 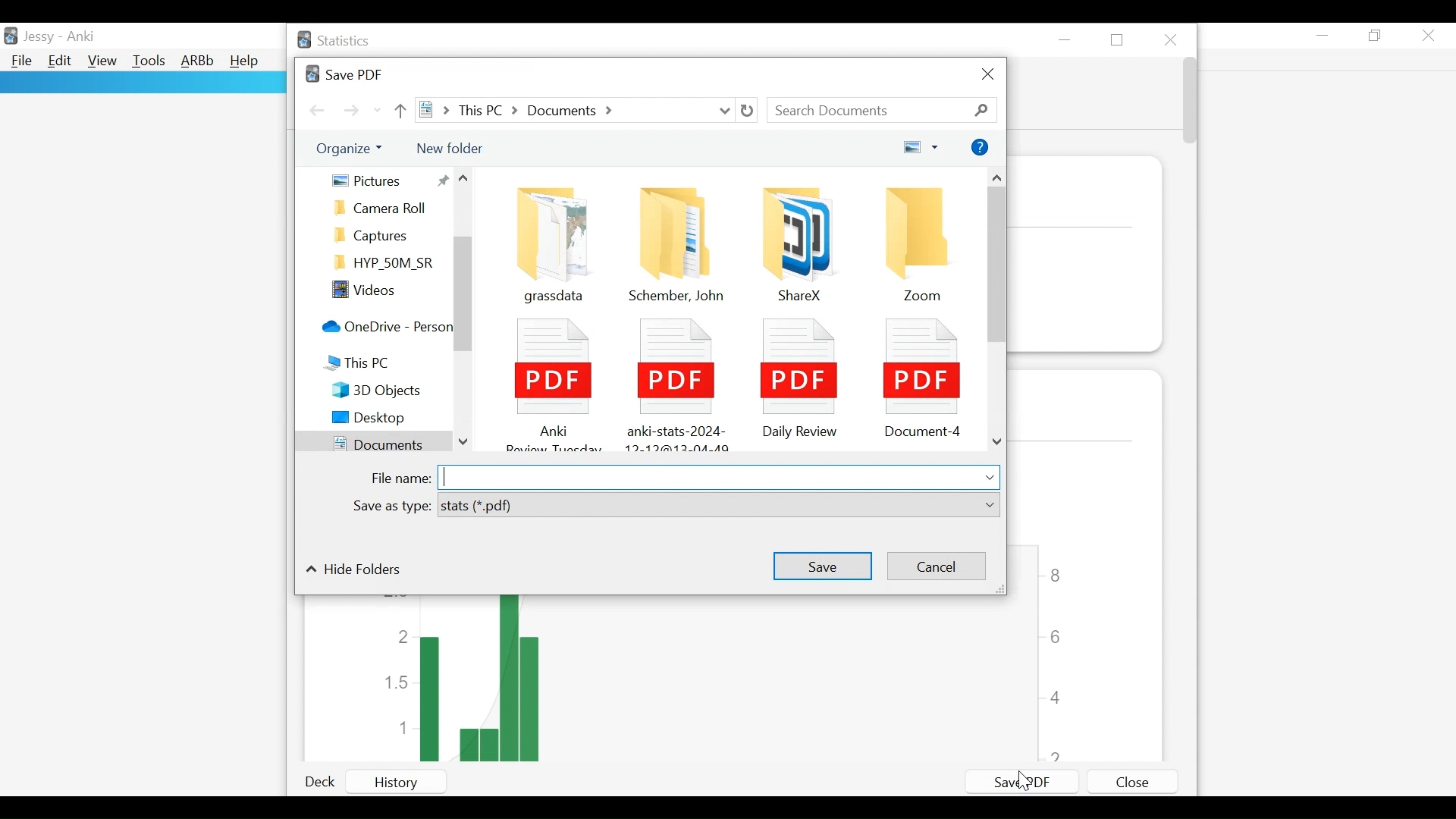 I want to click on ide folder, so click(x=354, y=571).